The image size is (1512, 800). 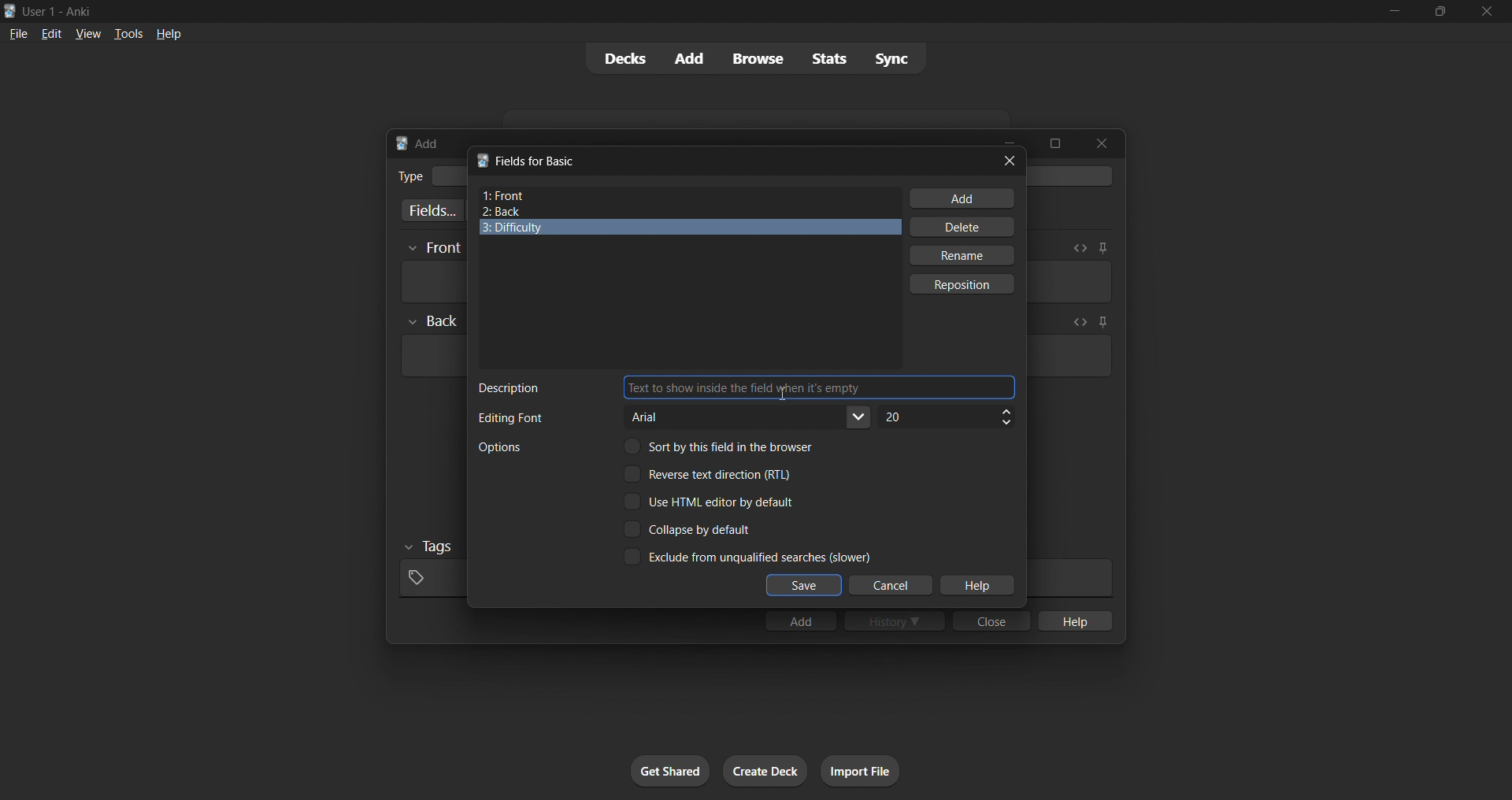 What do you see at coordinates (964, 284) in the screenshot?
I see `reposition` at bounding box center [964, 284].